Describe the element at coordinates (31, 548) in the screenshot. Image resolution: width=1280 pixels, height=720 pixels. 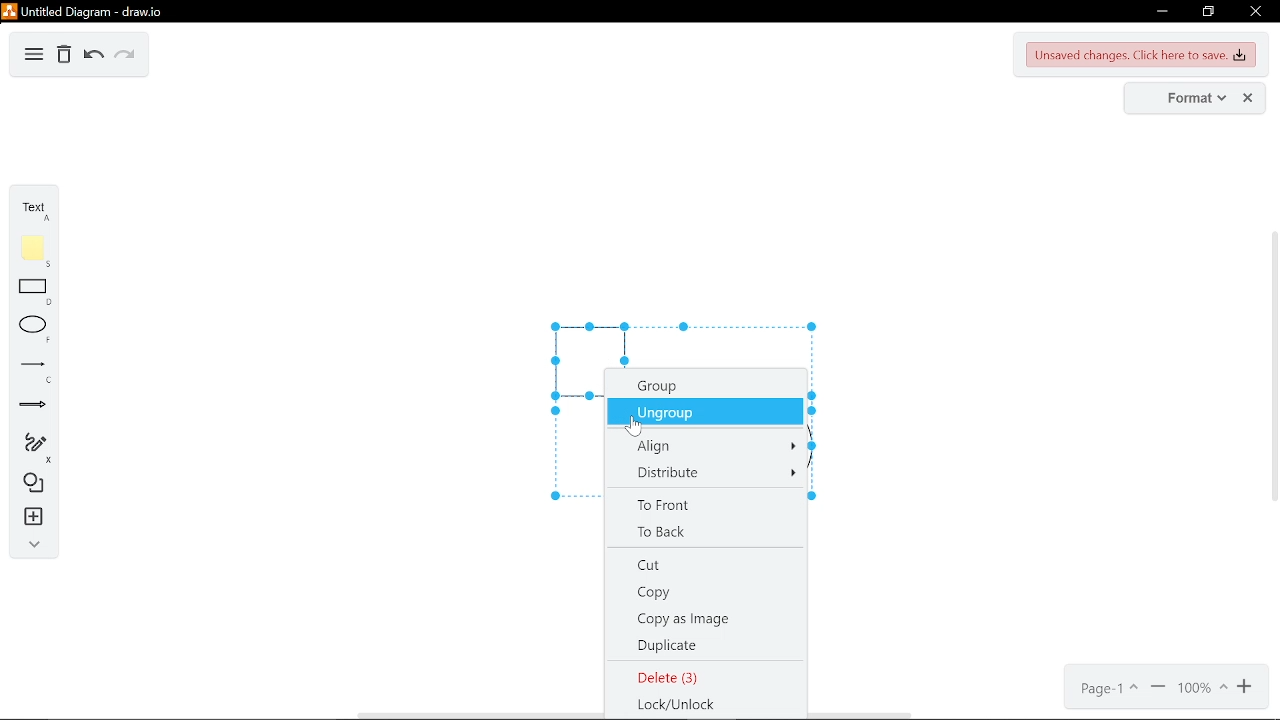
I see `collapse` at that location.